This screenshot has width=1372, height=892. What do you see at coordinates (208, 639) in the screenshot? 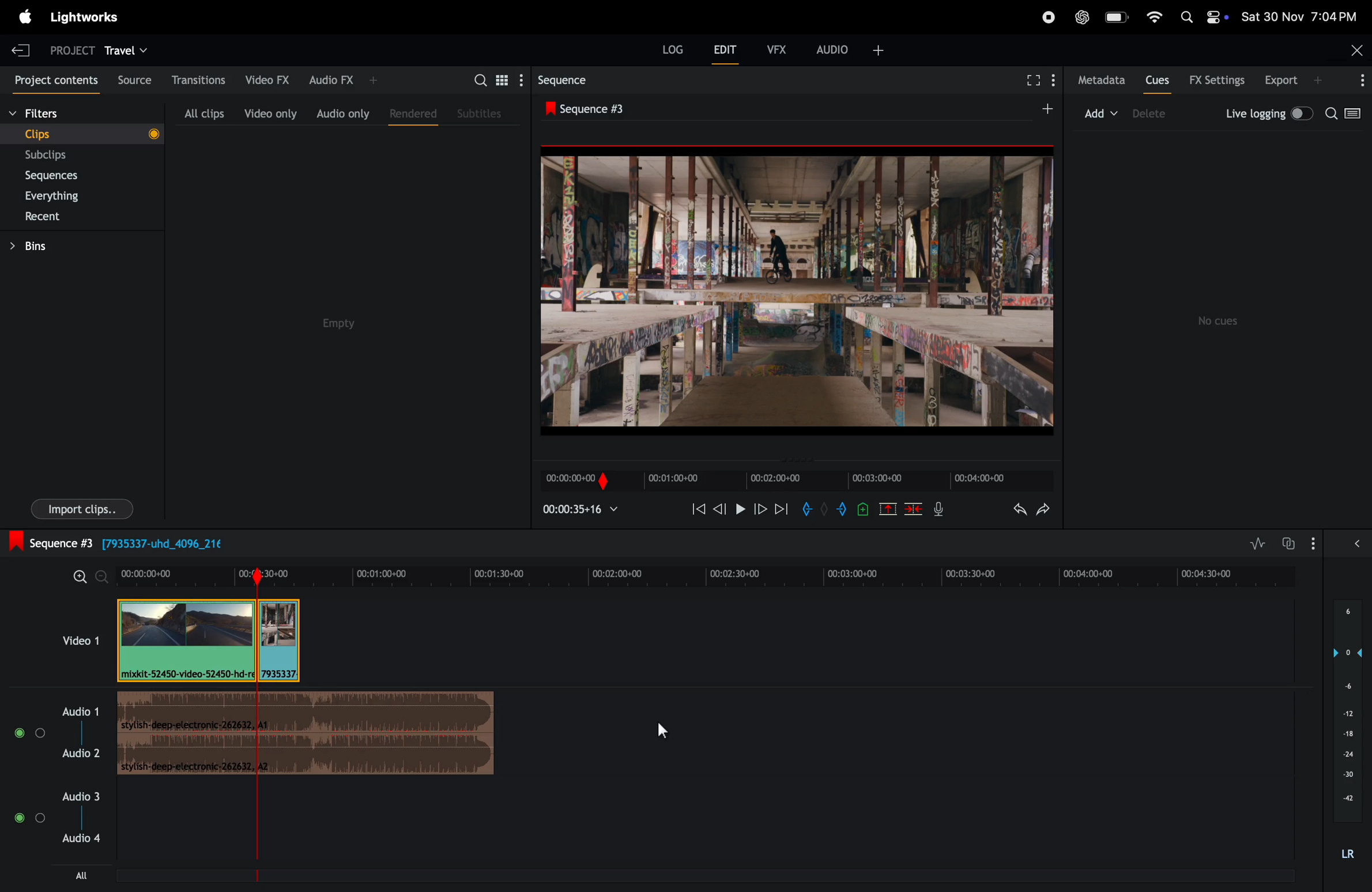
I see `audio clips` at bounding box center [208, 639].